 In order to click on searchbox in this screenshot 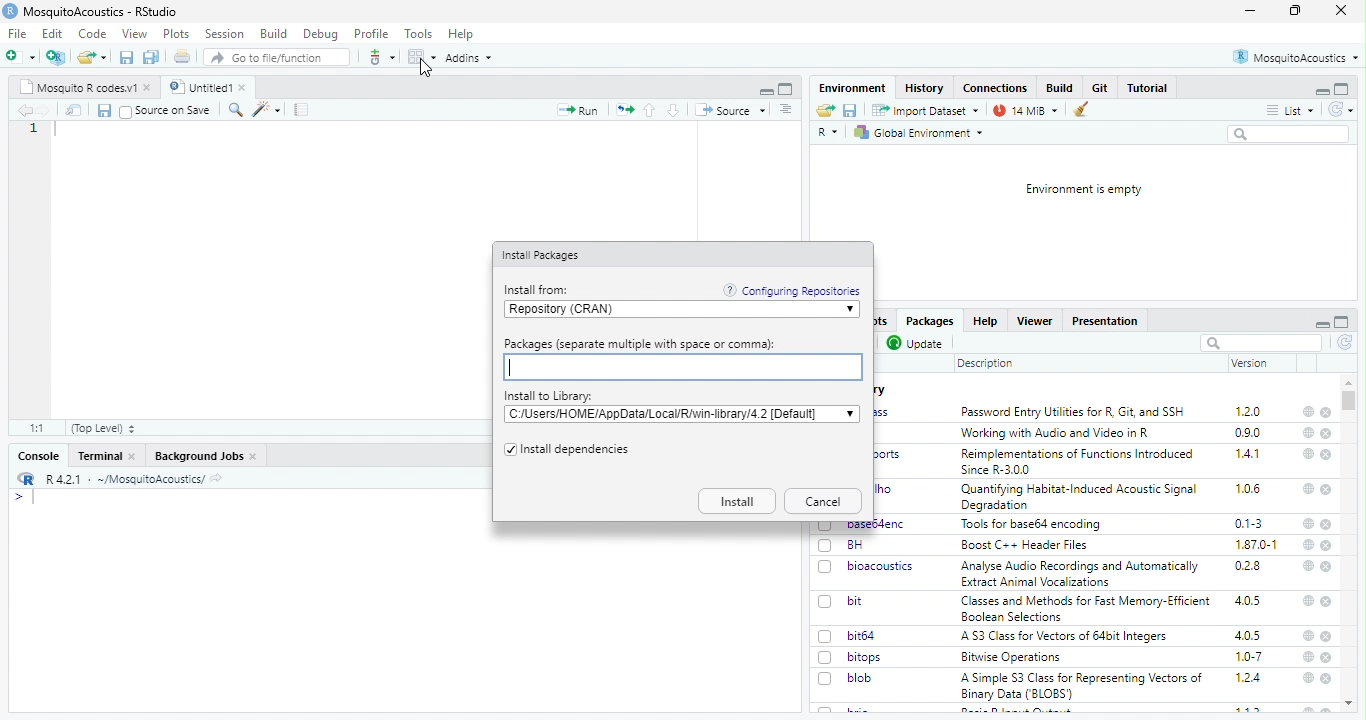, I will do `click(1261, 343)`.